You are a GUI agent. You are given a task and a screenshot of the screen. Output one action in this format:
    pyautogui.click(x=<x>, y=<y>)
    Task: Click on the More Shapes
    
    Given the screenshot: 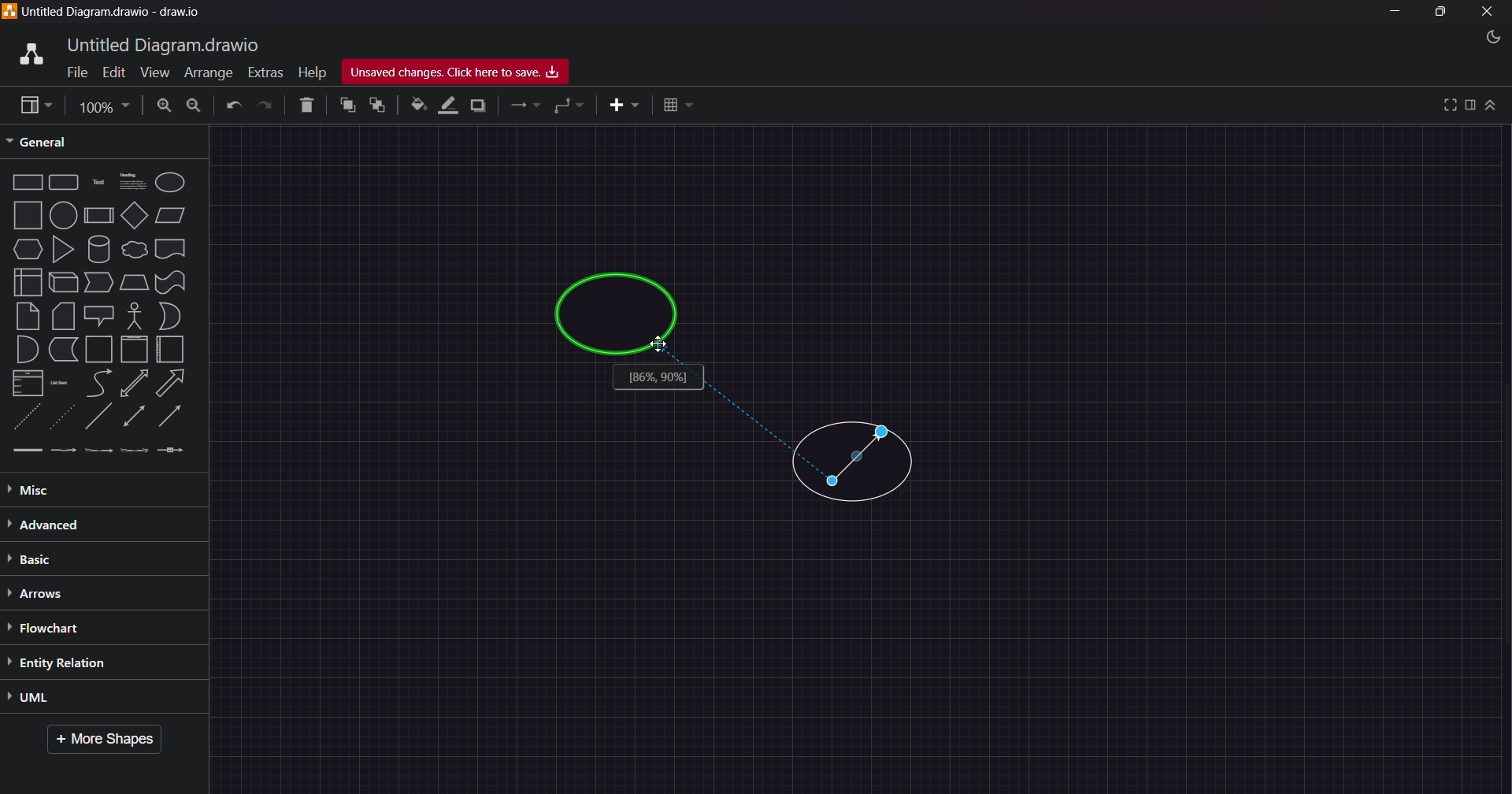 What is the action you would take?
    pyautogui.click(x=110, y=740)
    